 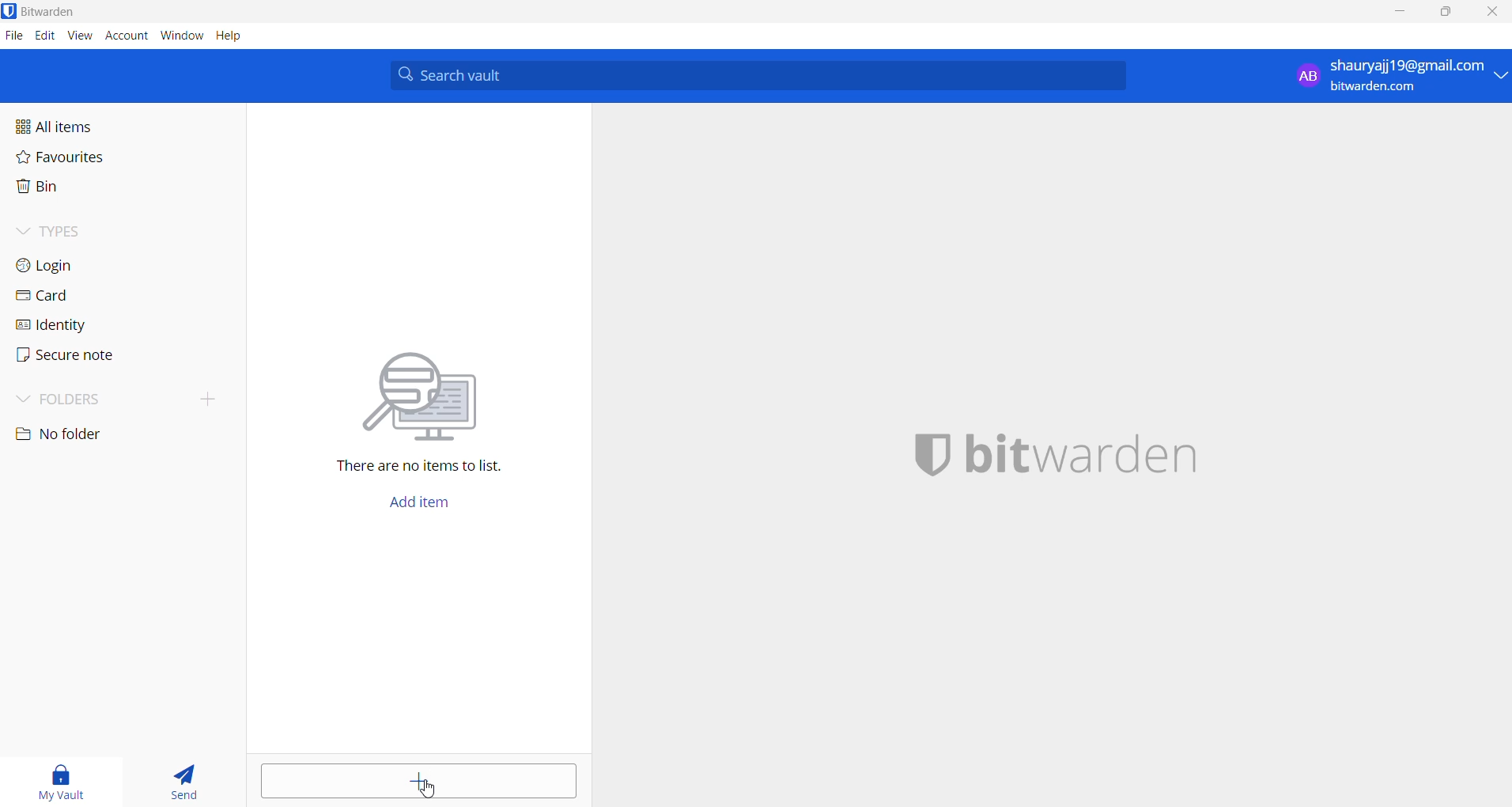 I want to click on Close, so click(x=1494, y=14).